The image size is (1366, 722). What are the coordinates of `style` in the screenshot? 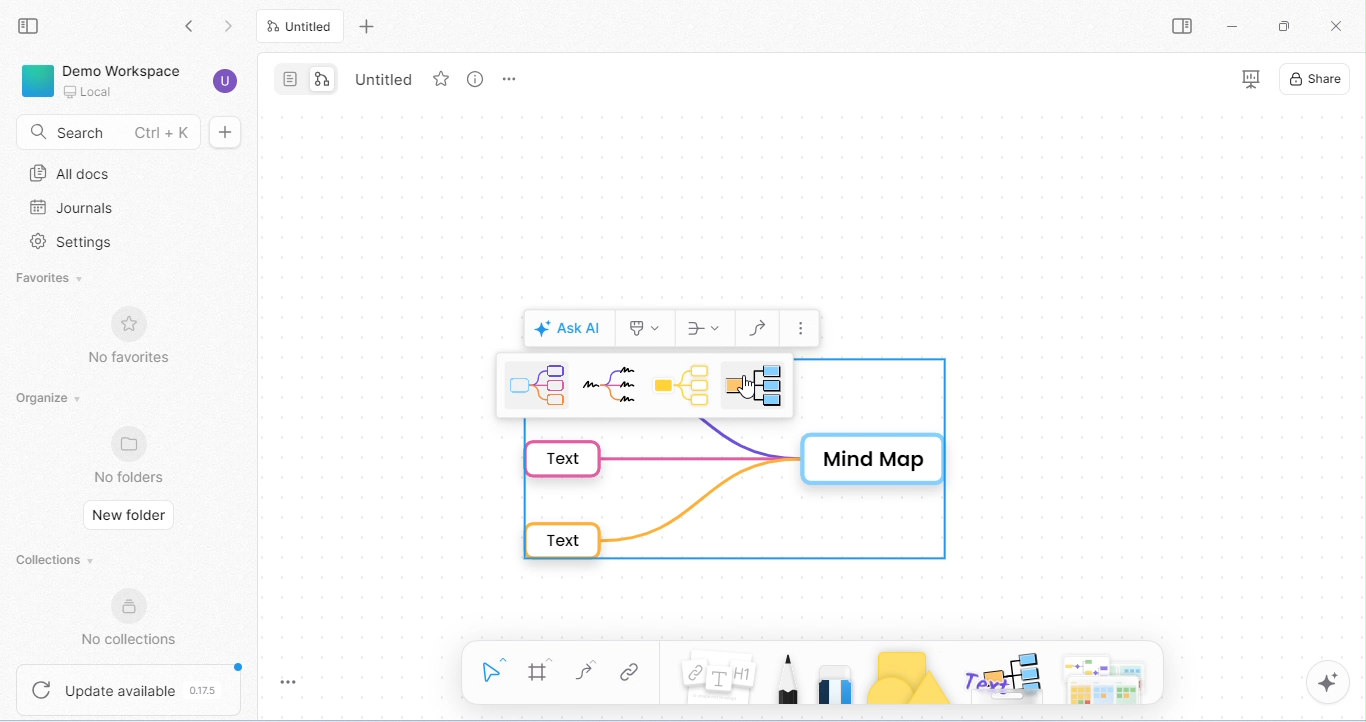 It's located at (645, 326).